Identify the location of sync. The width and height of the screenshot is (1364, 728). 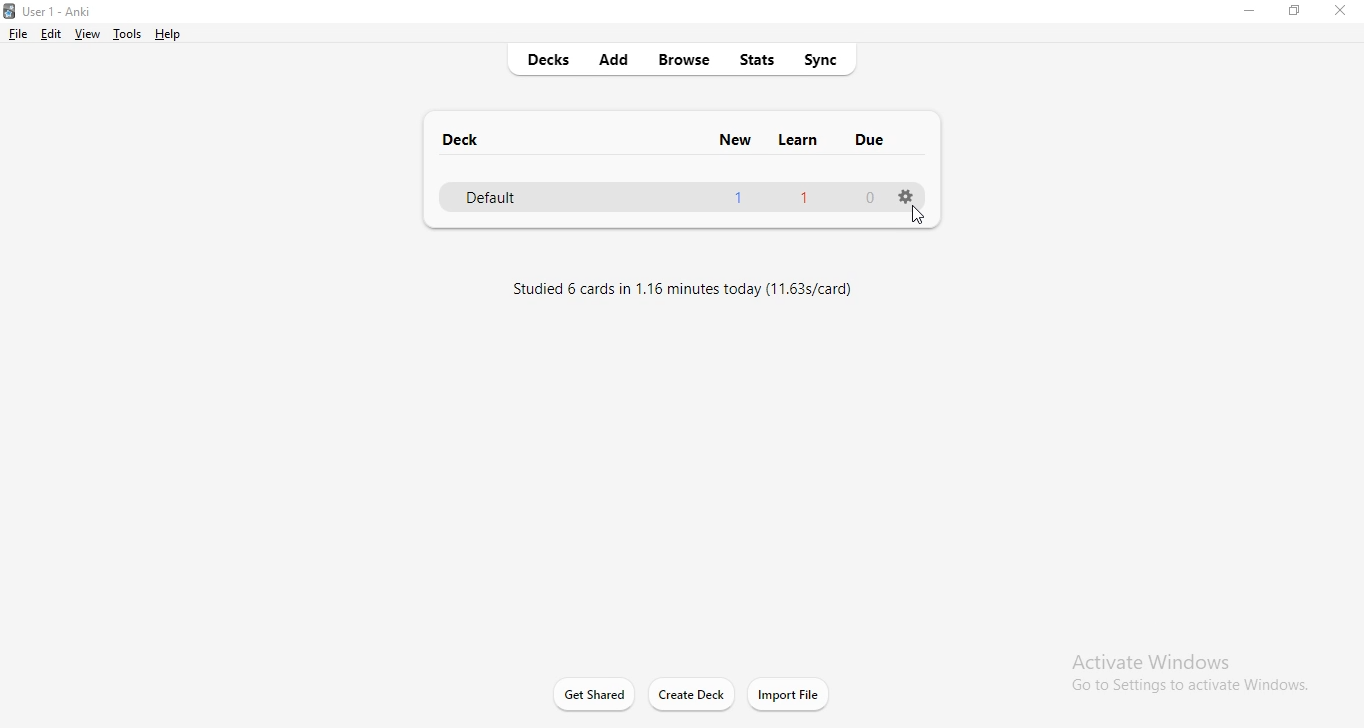
(826, 57).